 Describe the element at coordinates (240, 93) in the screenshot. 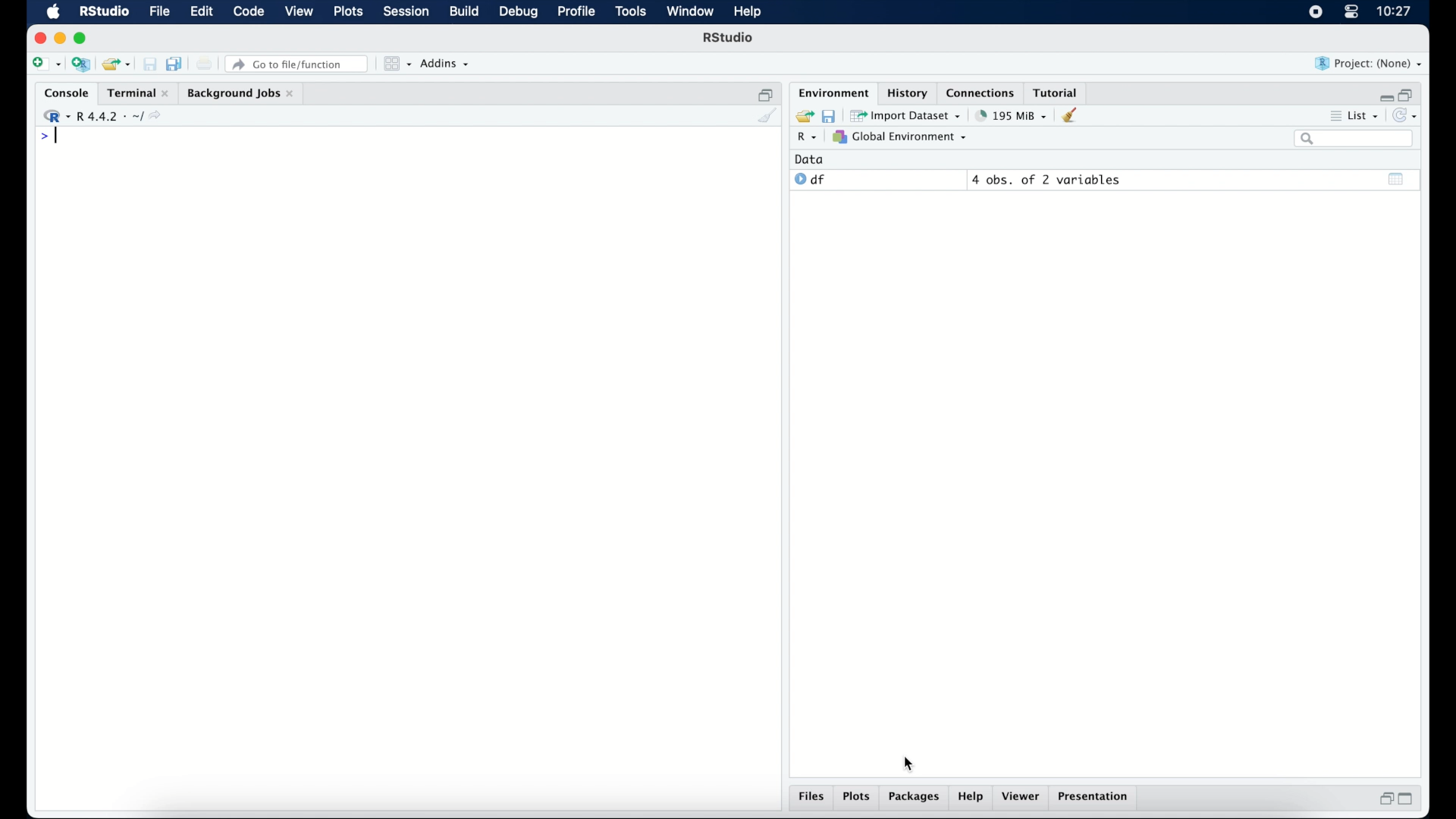

I see `background jobs` at that location.